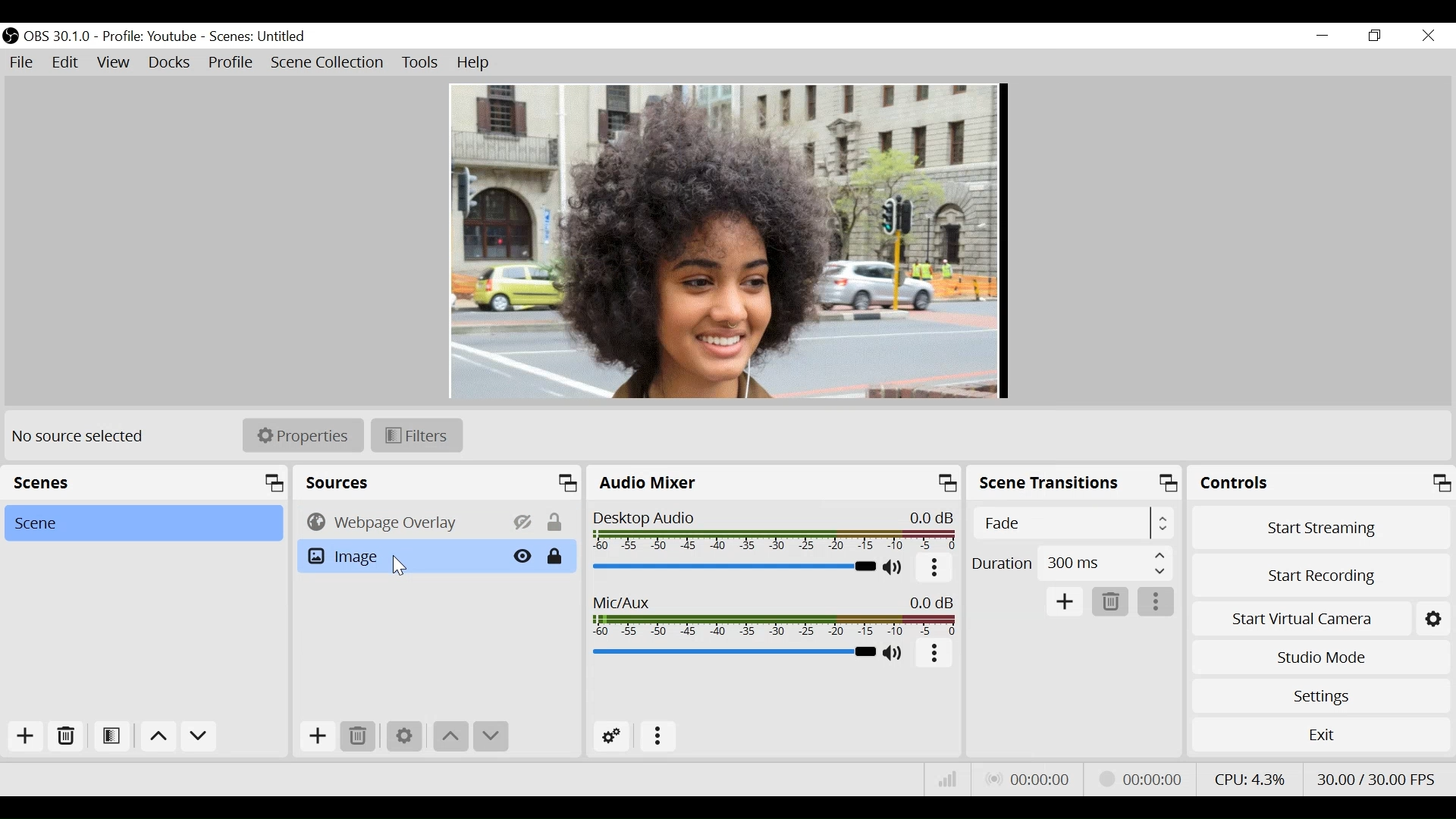 This screenshot has height=819, width=1456. Describe the element at coordinates (231, 64) in the screenshot. I see `Profile` at that location.